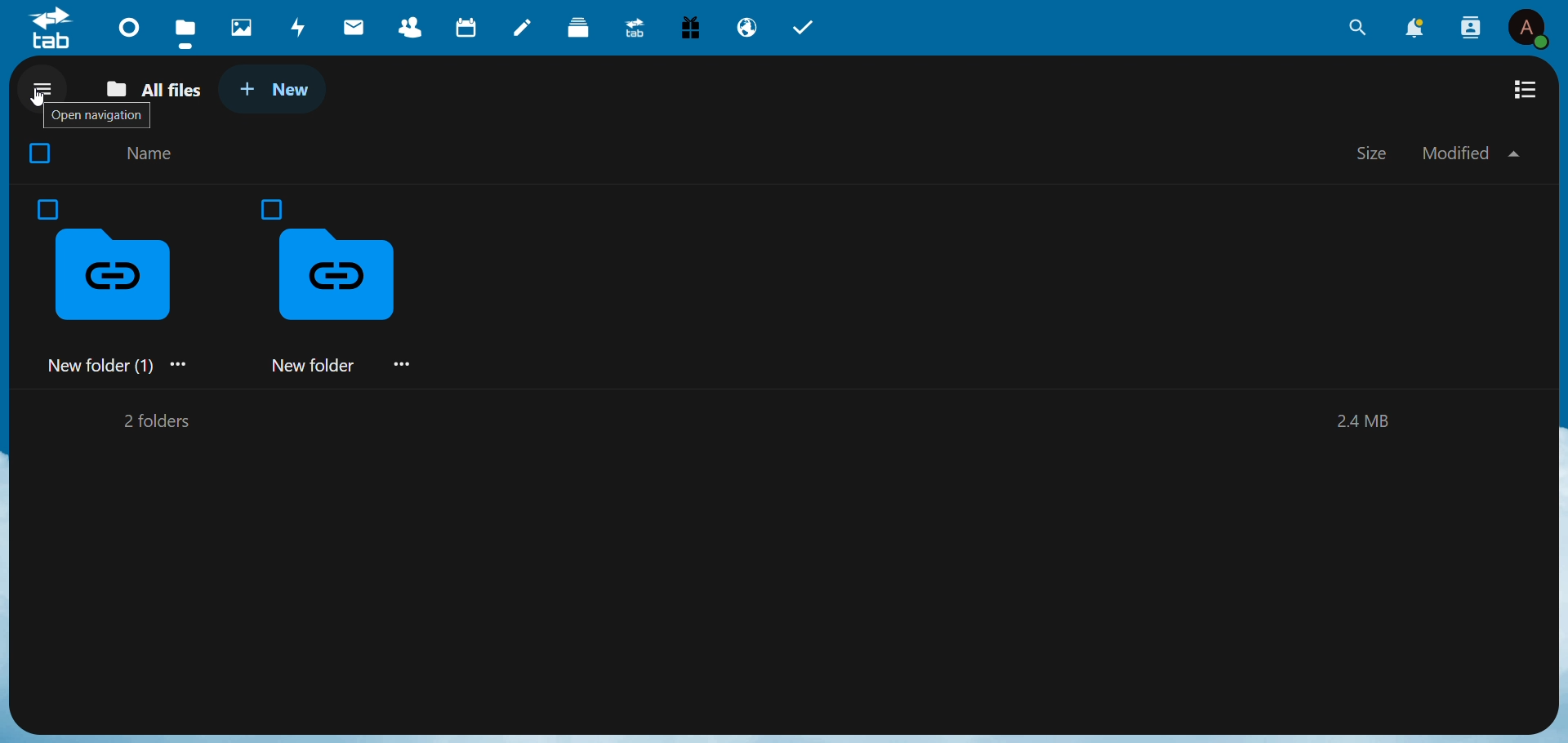 This screenshot has width=1568, height=743. What do you see at coordinates (274, 87) in the screenshot?
I see `new` at bounding box center [274, 87].